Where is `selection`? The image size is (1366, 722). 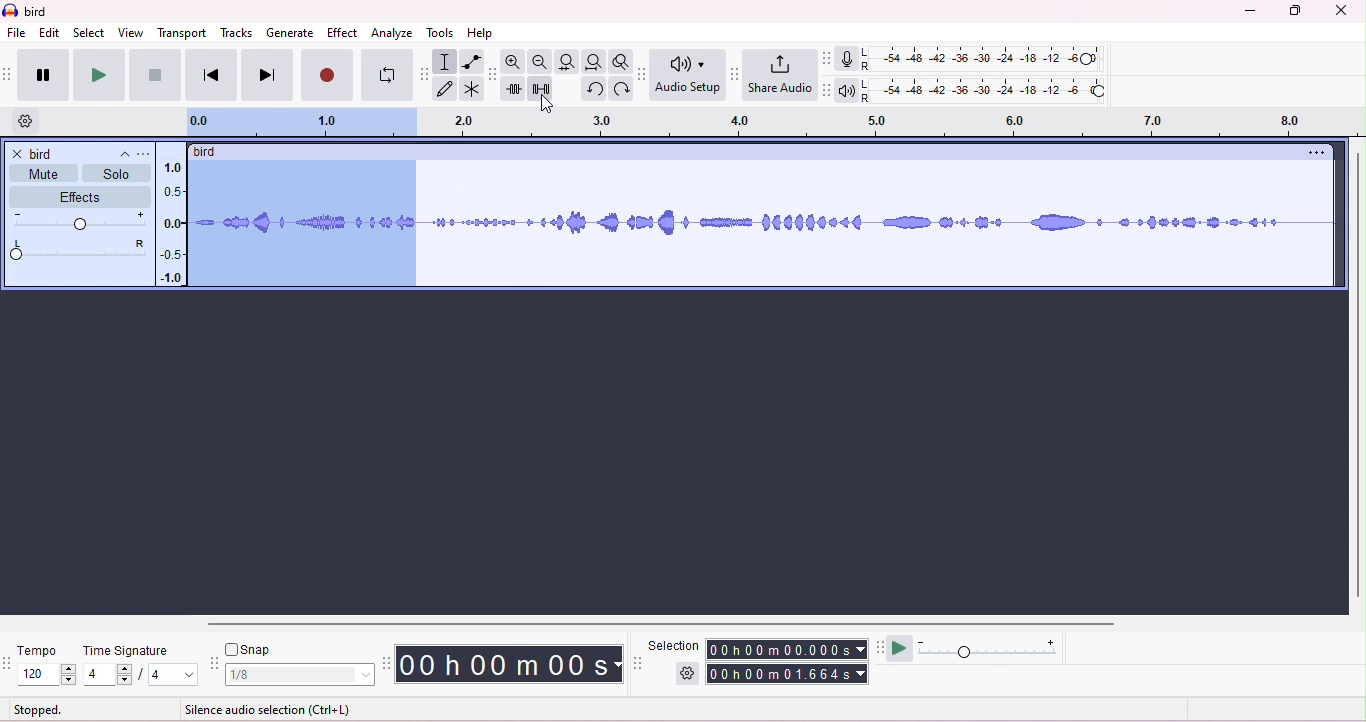
selection is located at coordinates (676, 643).